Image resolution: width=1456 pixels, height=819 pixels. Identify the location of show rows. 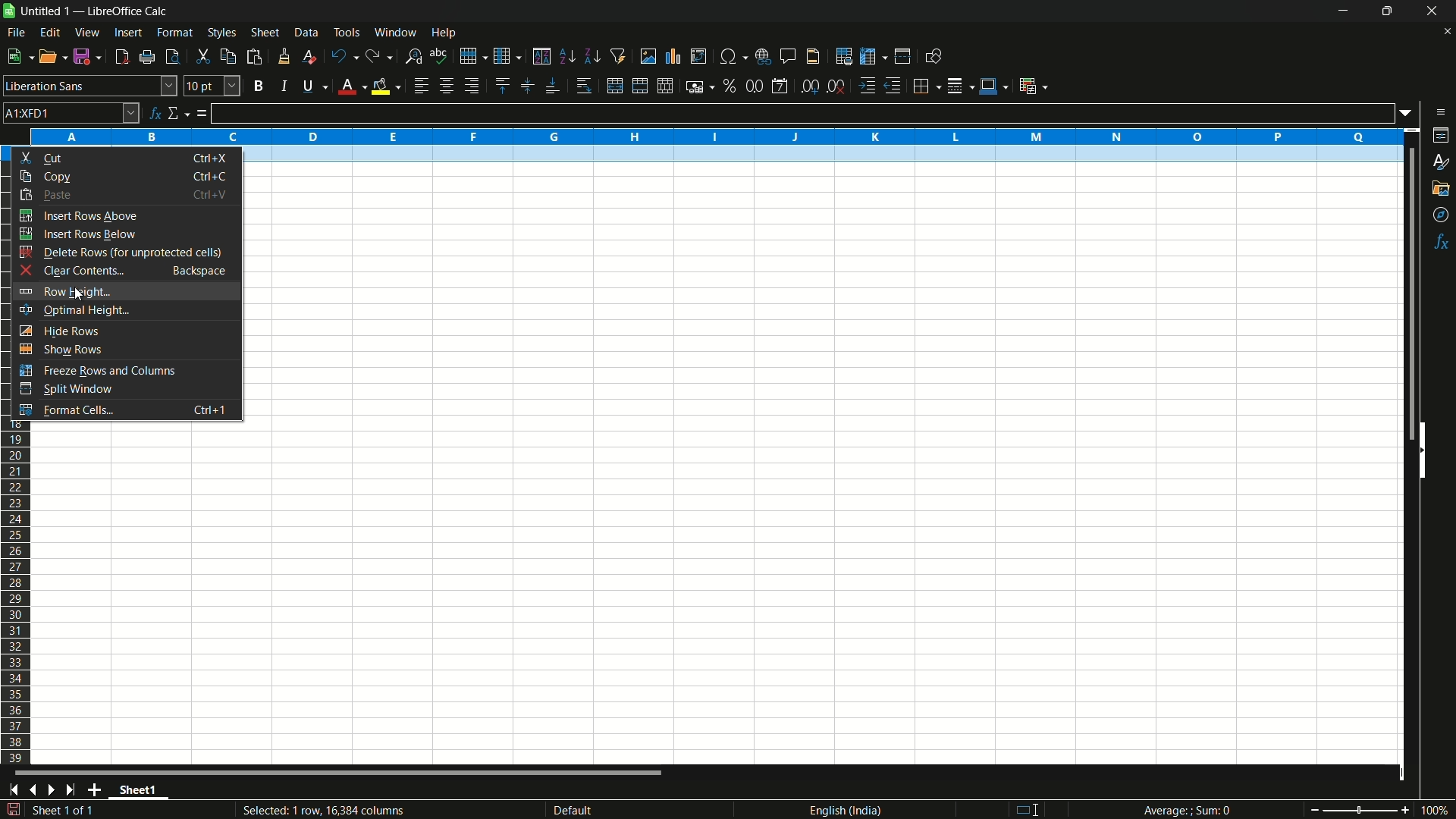
(124, 351).